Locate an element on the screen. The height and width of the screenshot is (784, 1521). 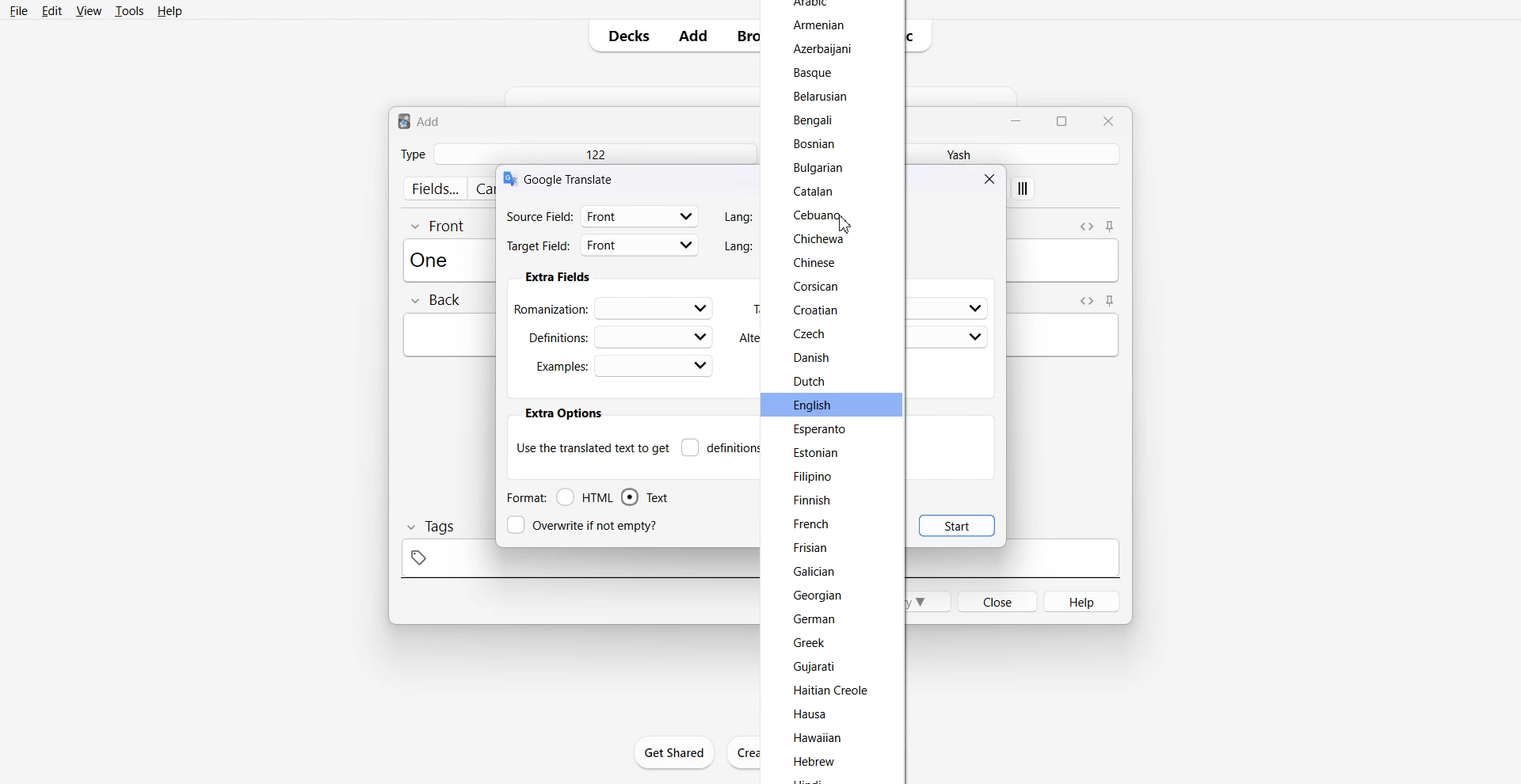
Toggle sticky is located at coordinates (1111, 301).